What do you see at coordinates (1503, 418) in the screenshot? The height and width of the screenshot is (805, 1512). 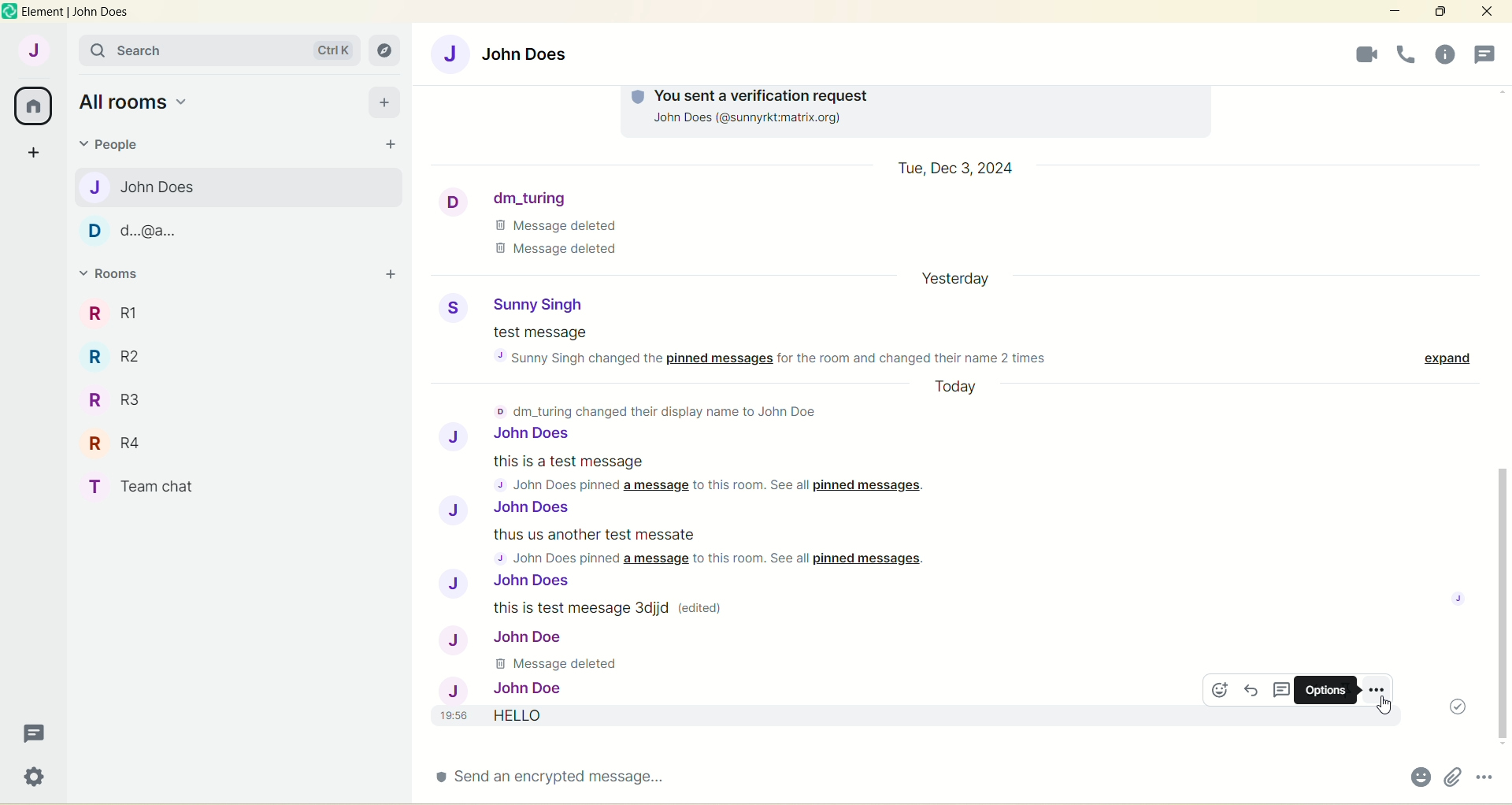 I see `vertical scroll bar` at bounding box center [1503, 418].